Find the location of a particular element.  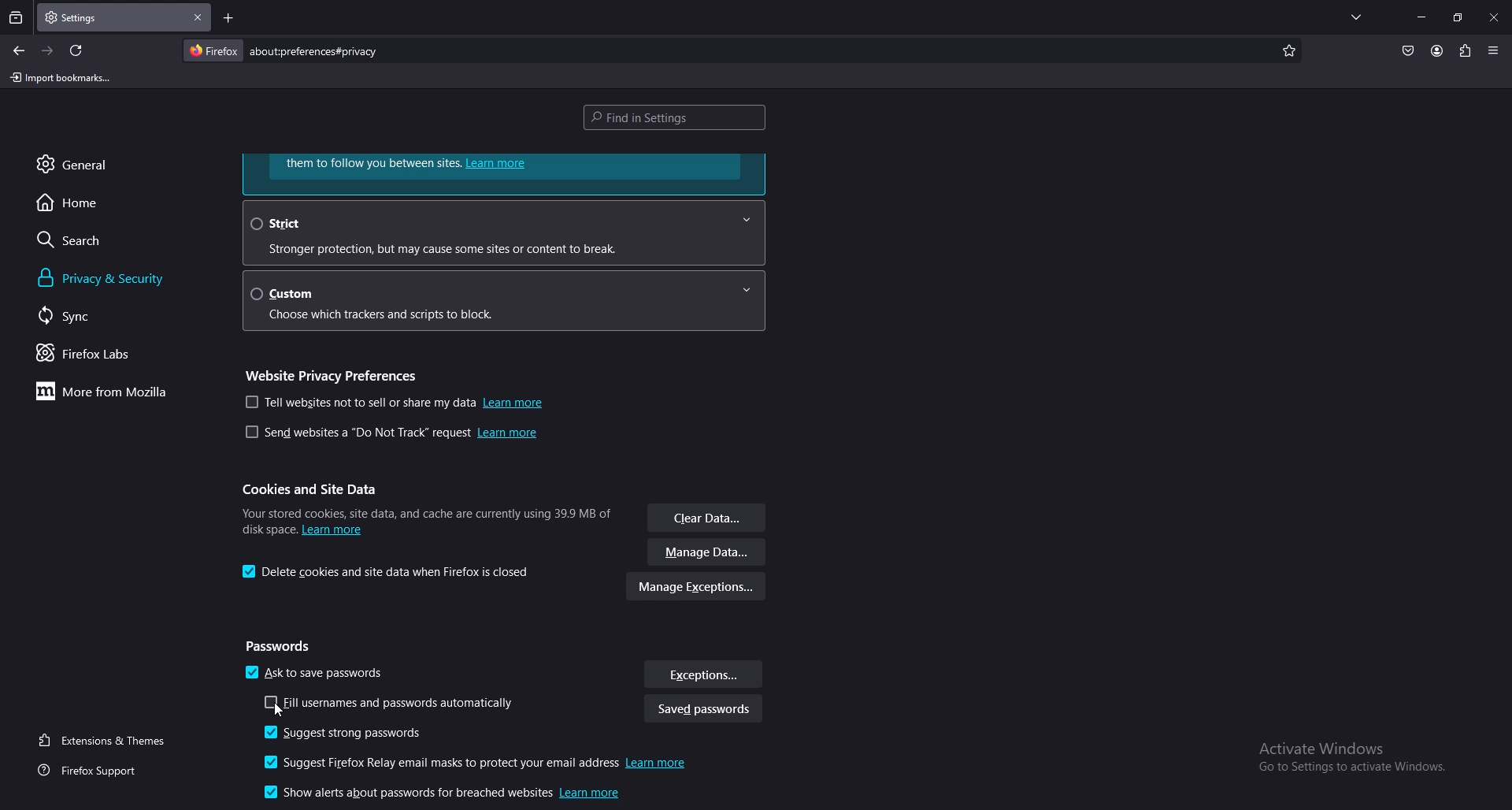

ask to save pass is located at coordinates (317, 675).